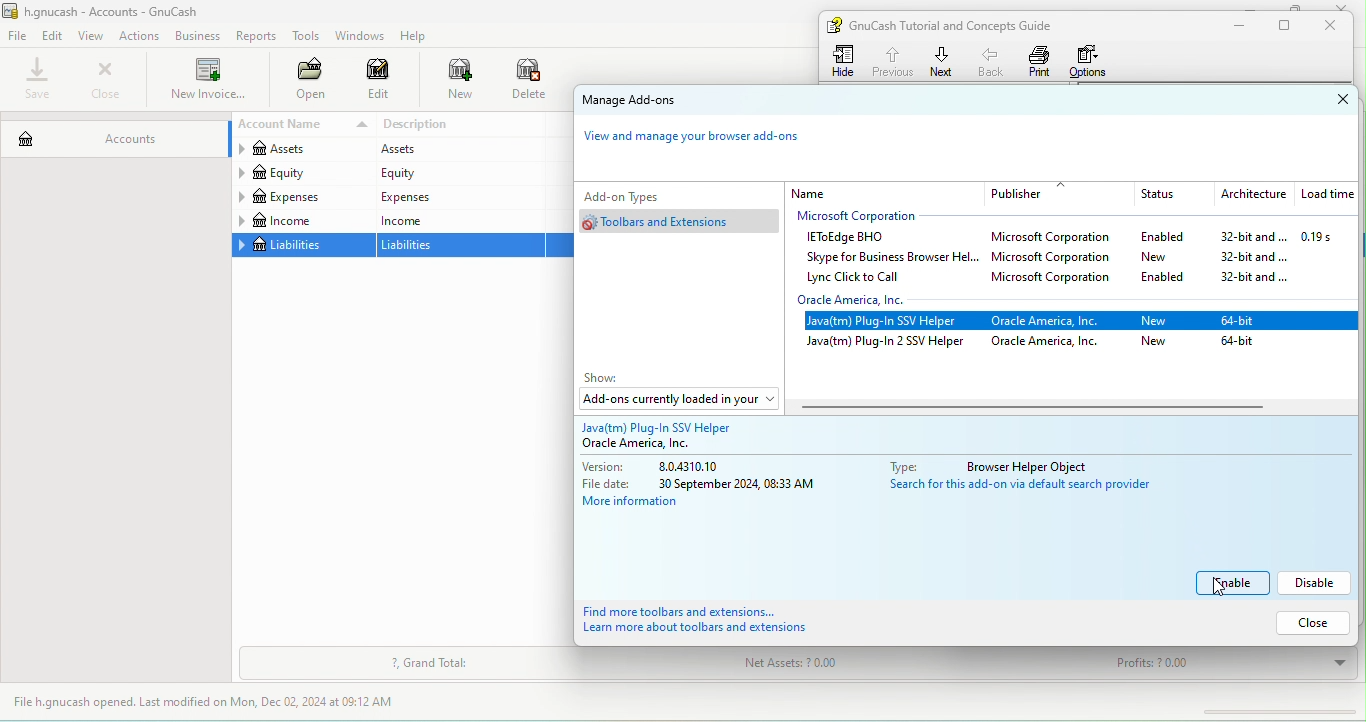 This screenshot has height=722, width=1366. I want to click on new, so click(450, 81).